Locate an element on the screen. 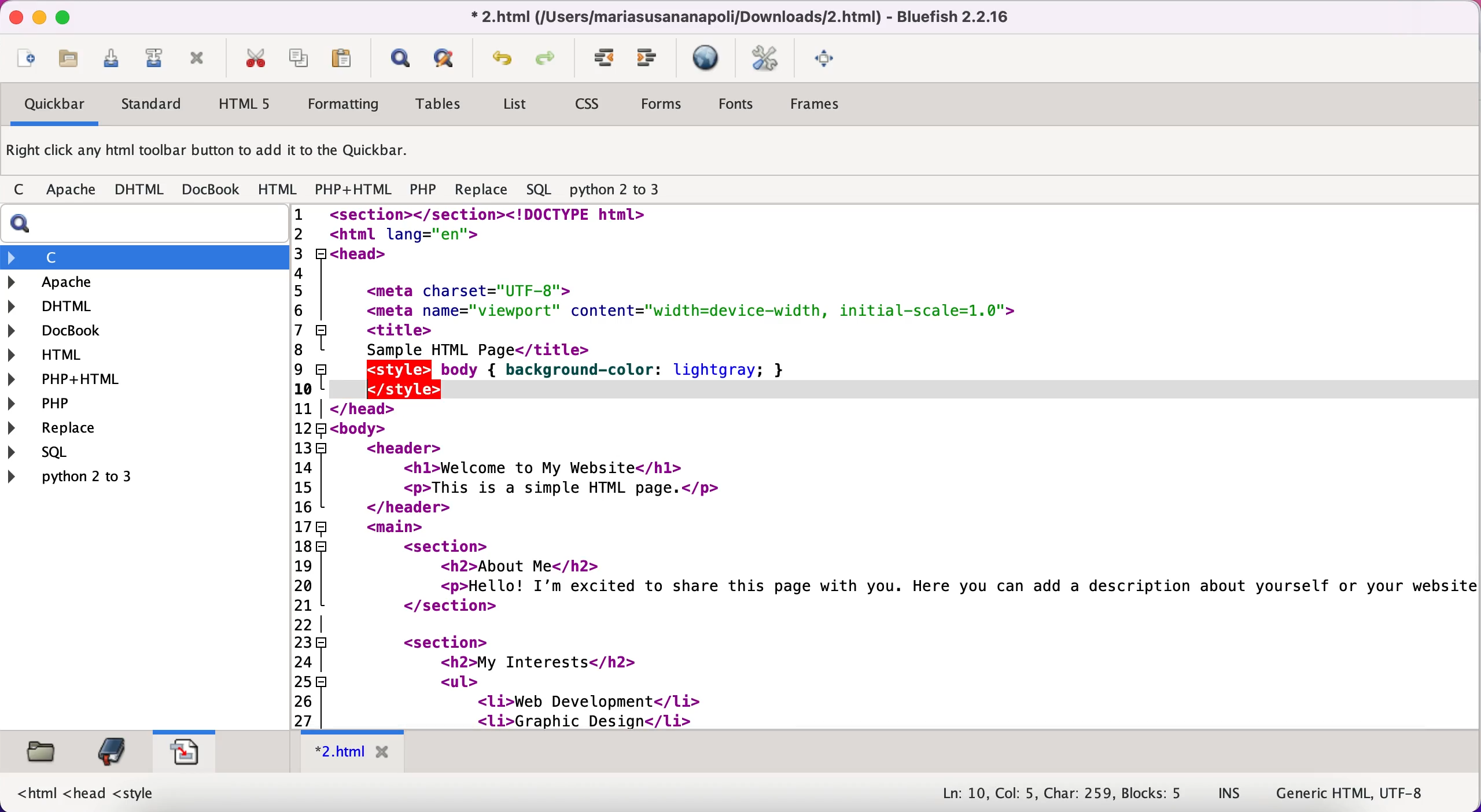 Image resolution: width=1481 pixels, height=812 pixels. php+html is located at coordinates (355, 191).